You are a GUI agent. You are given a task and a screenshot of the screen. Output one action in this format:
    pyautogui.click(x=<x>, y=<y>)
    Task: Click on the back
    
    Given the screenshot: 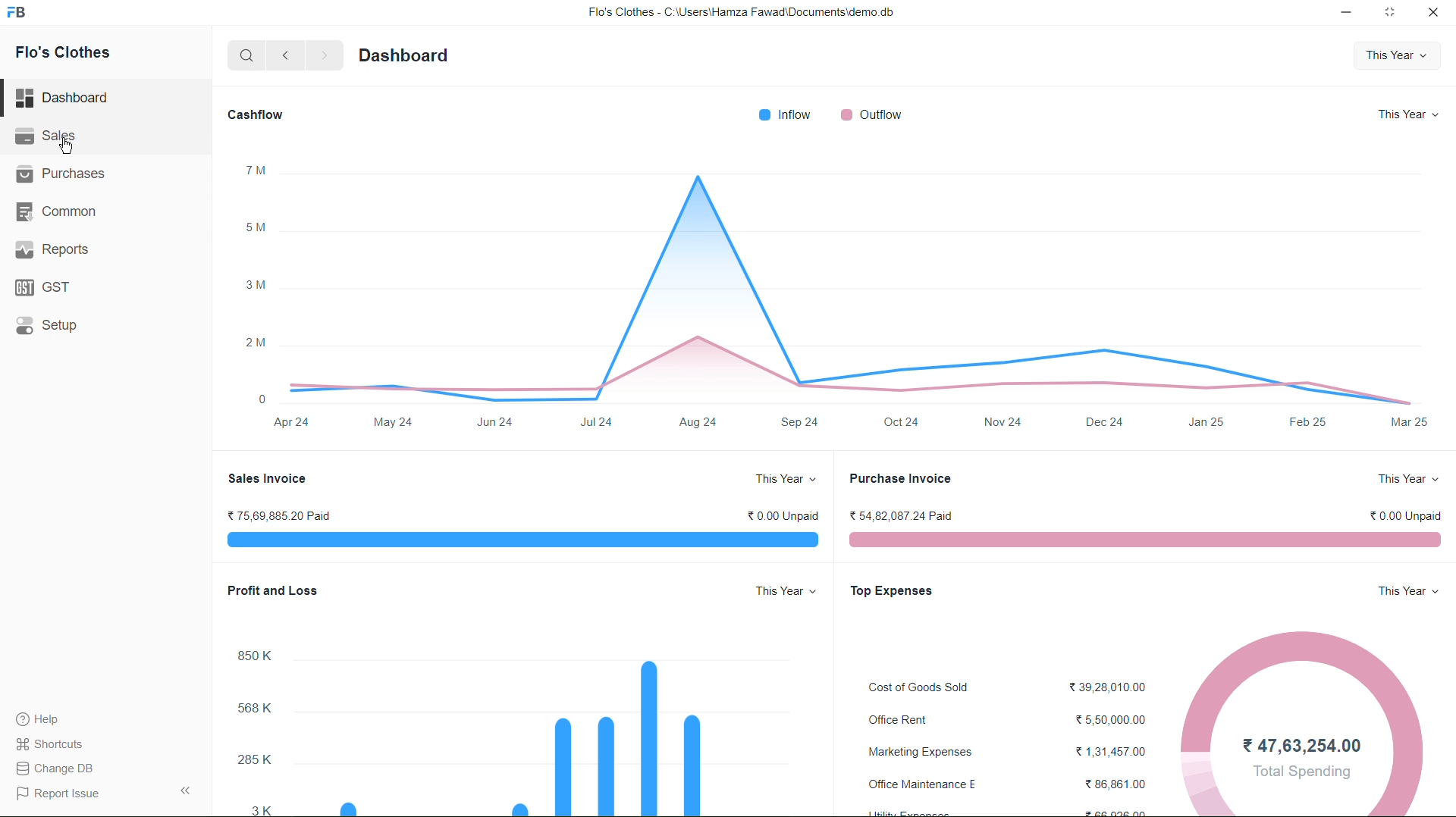 What is the action you would take?
    pyautogui.click(x=290, y=56)
    